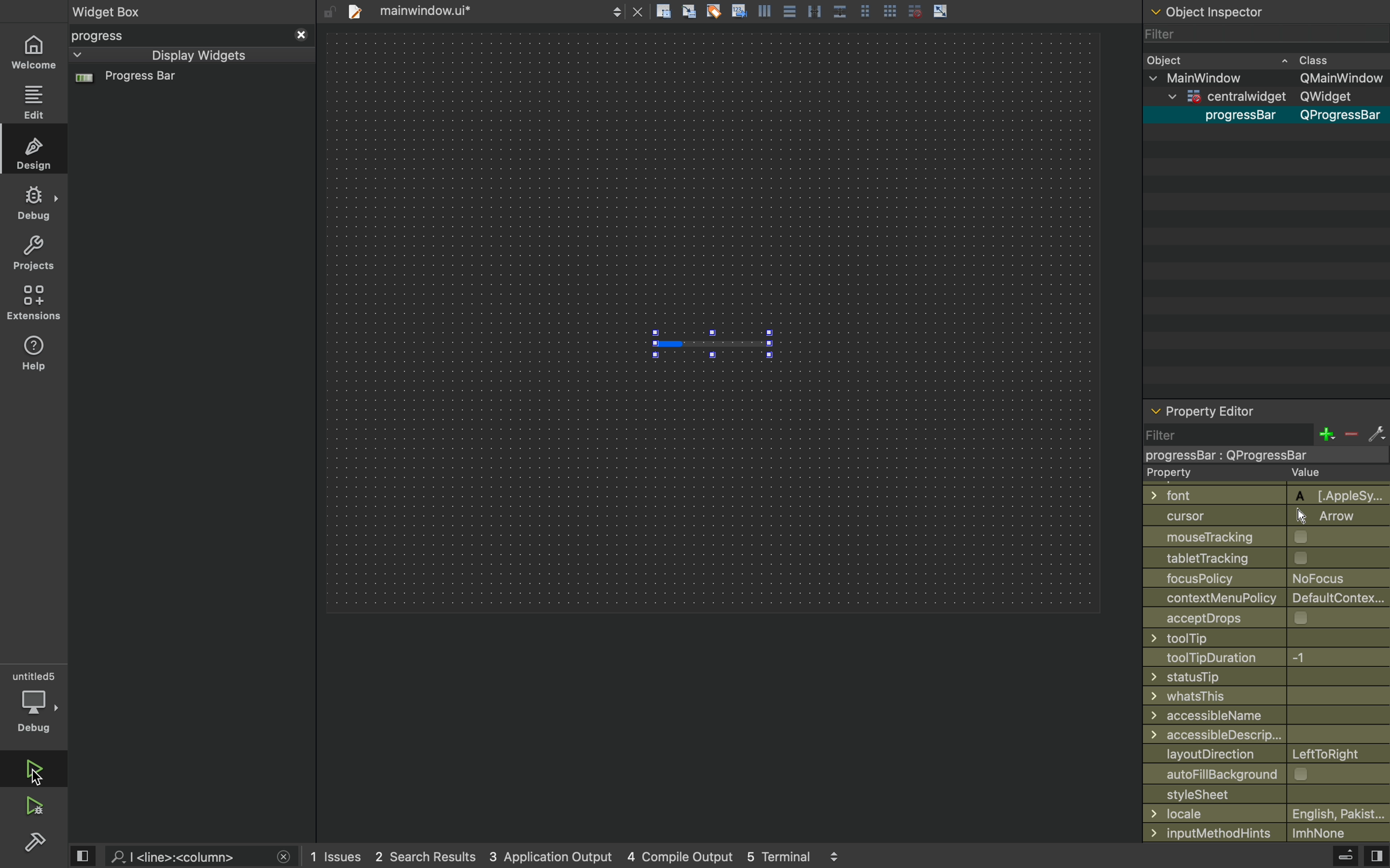  I want to click on widgetbox, so click(154, 11).